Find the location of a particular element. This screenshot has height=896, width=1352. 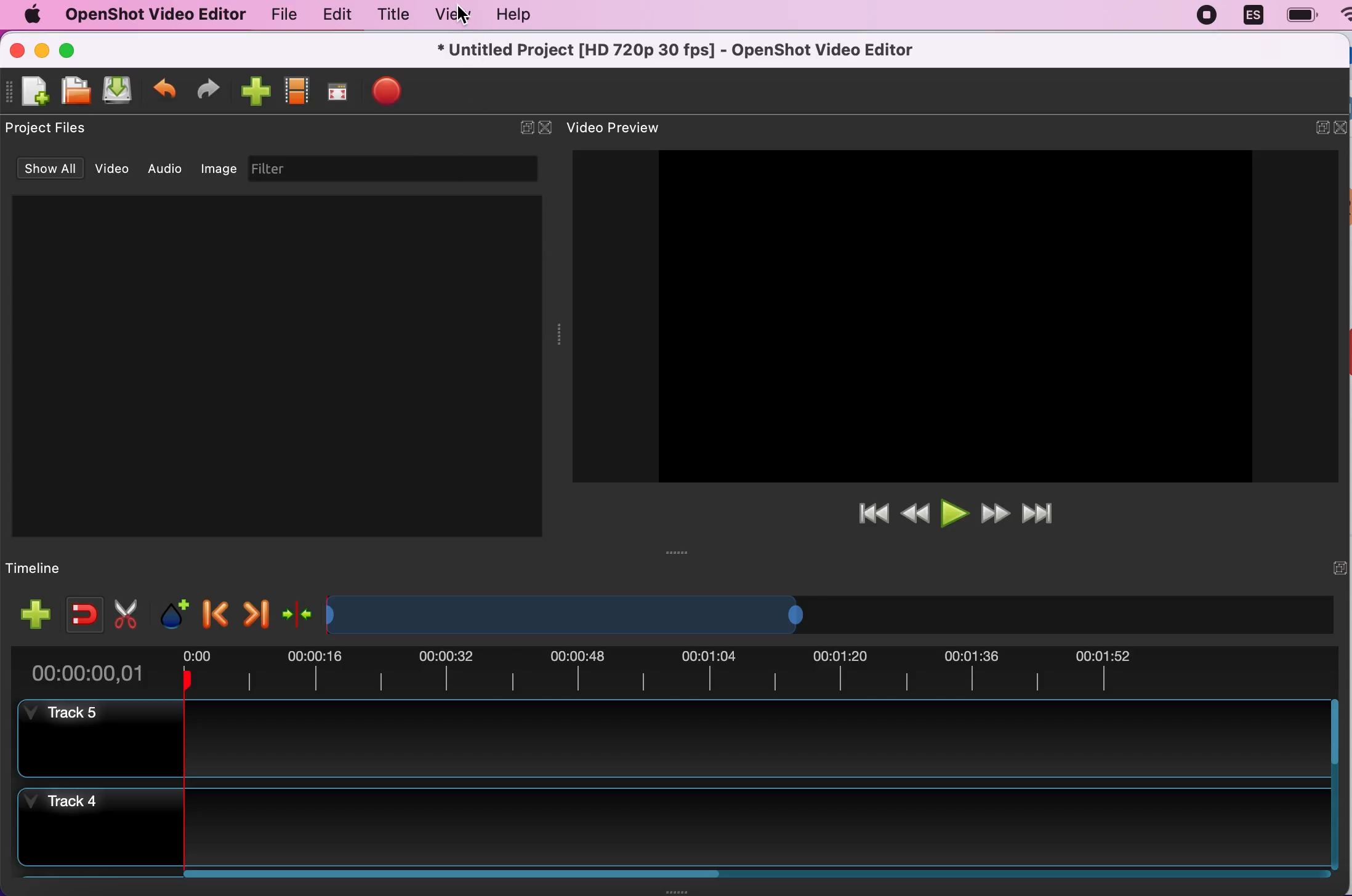

wifi is located at coordinates (1343, 20).